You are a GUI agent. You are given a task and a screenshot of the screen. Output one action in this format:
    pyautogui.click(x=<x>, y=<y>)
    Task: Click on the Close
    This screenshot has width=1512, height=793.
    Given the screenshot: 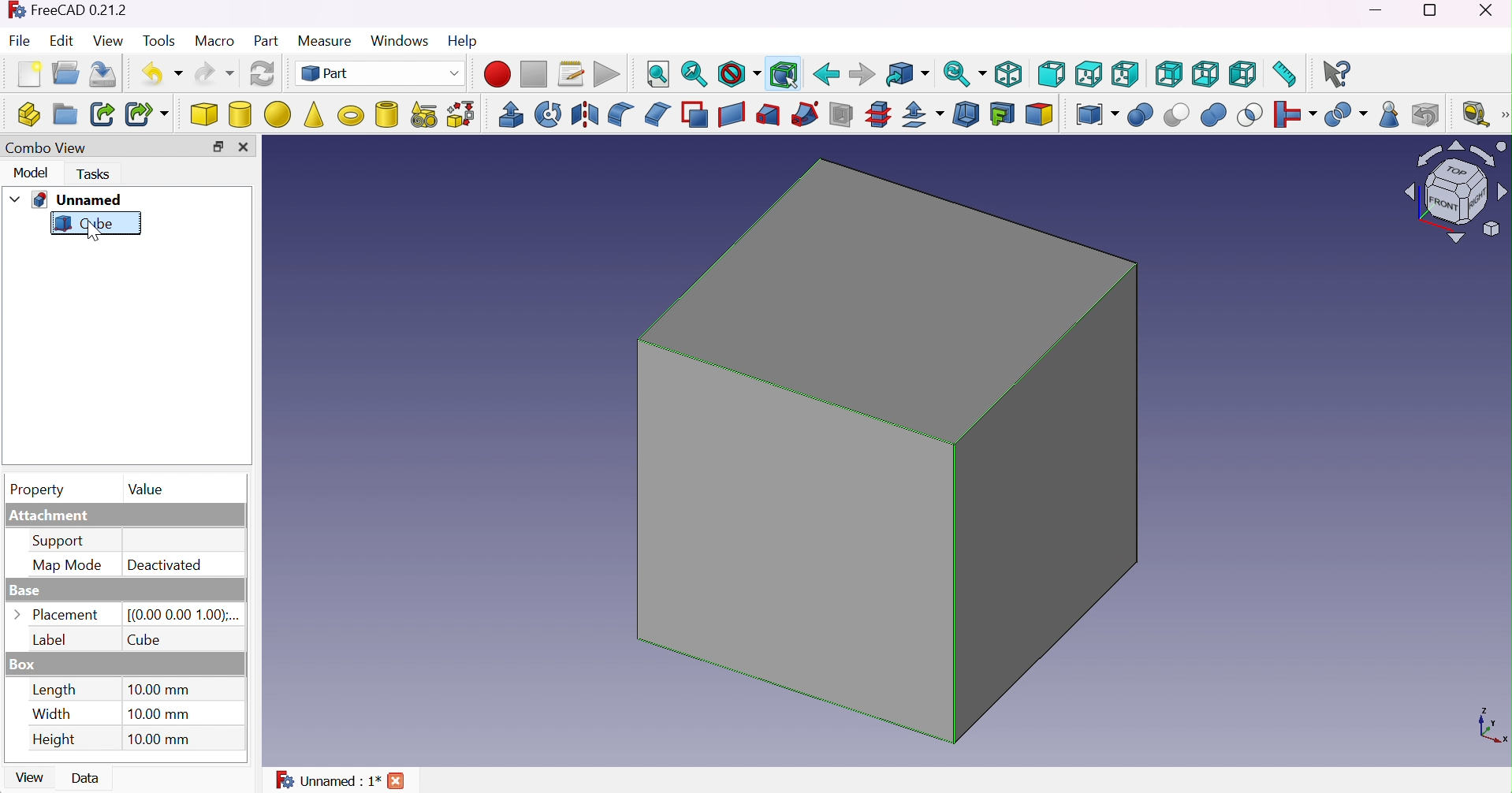 What is the action you would take?
    pyautogui.click(x=248, y=148)
    